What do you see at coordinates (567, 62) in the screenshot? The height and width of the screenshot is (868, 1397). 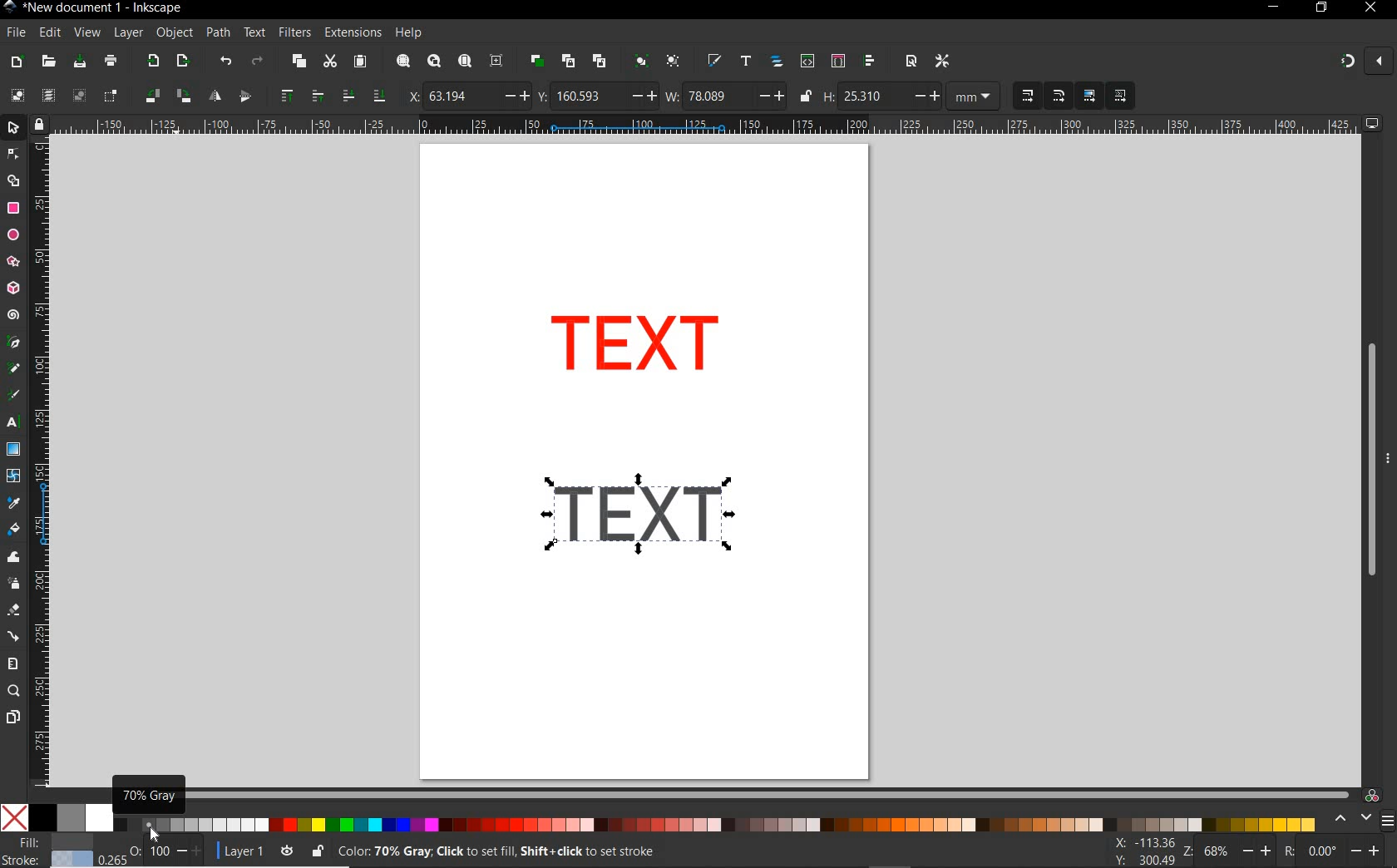 I see `create clone` at bounding box center [567, 62].